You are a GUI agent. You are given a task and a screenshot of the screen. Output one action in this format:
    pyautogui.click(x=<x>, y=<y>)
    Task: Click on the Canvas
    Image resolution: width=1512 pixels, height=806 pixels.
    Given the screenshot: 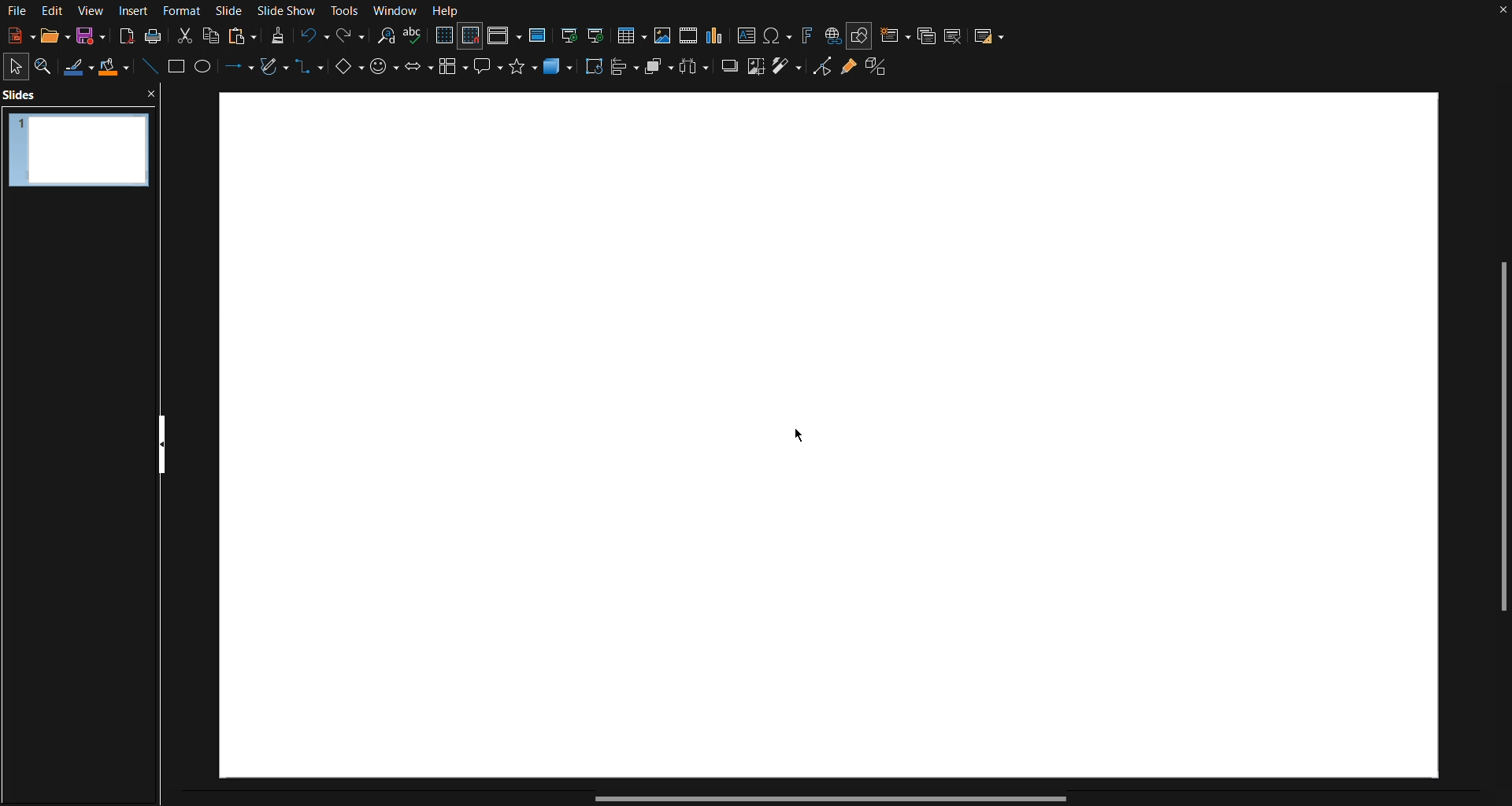 What is the action you would take?
    pyautogui.click(x=830, y=436)
    